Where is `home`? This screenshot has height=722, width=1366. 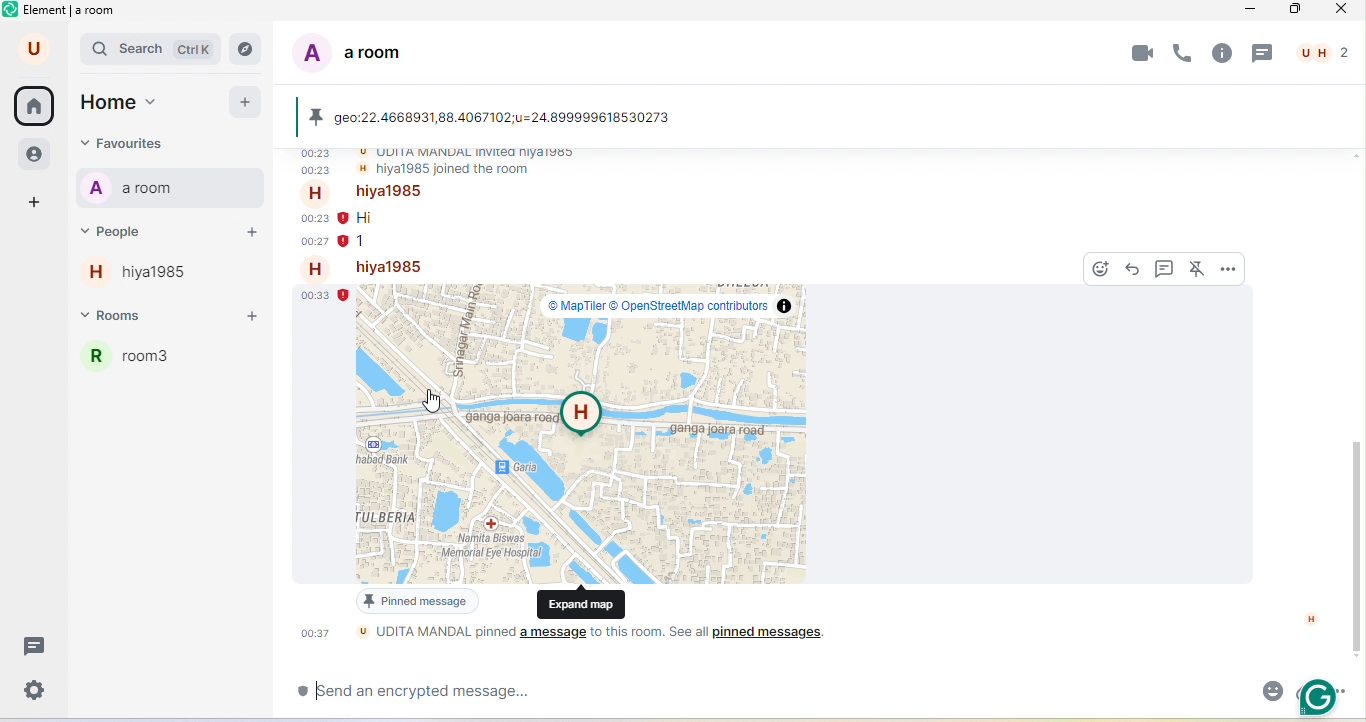 home is located at coordinates (135, 102).